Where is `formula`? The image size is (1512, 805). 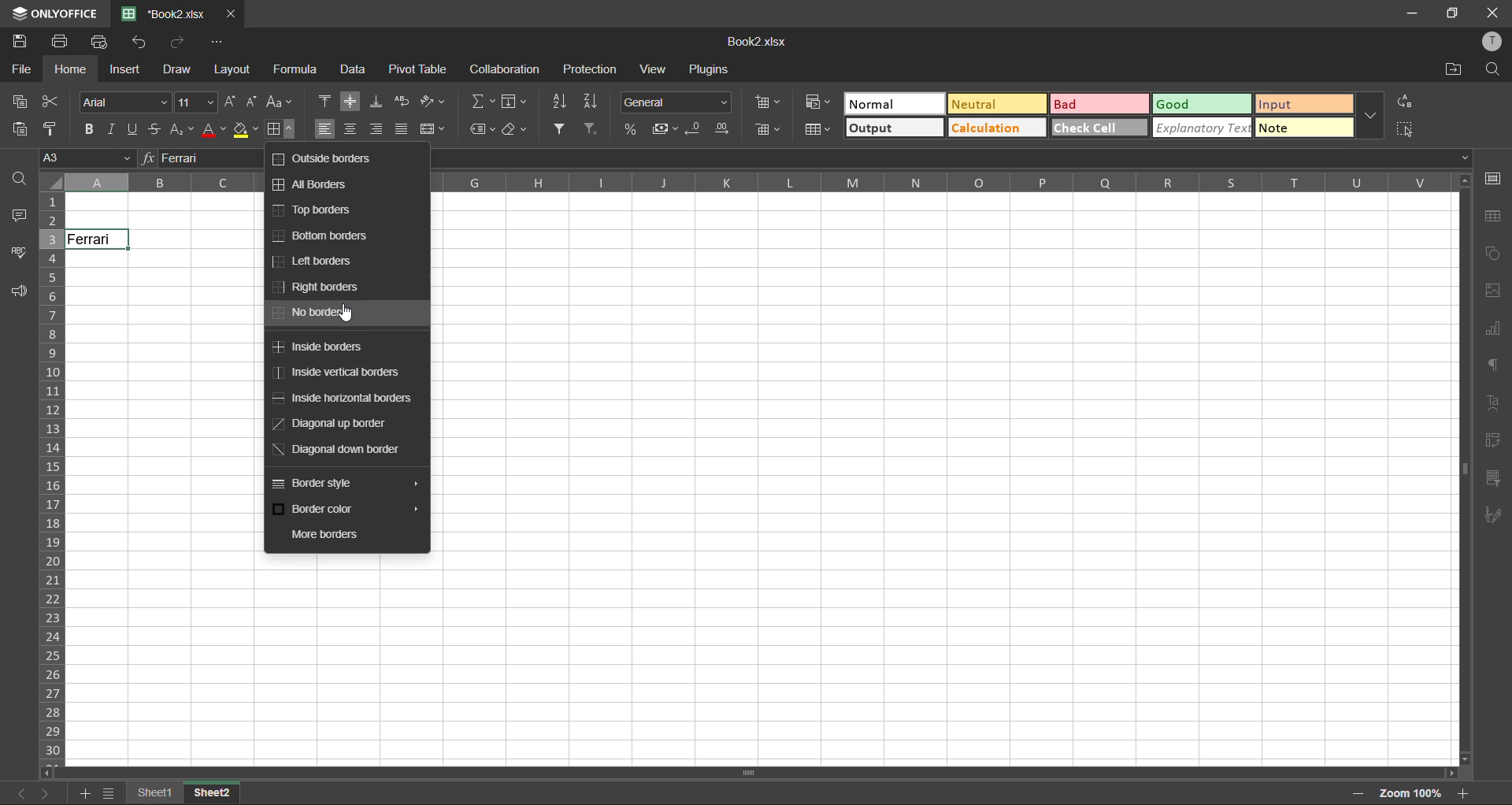 formula is located at coordinates (299, 69).